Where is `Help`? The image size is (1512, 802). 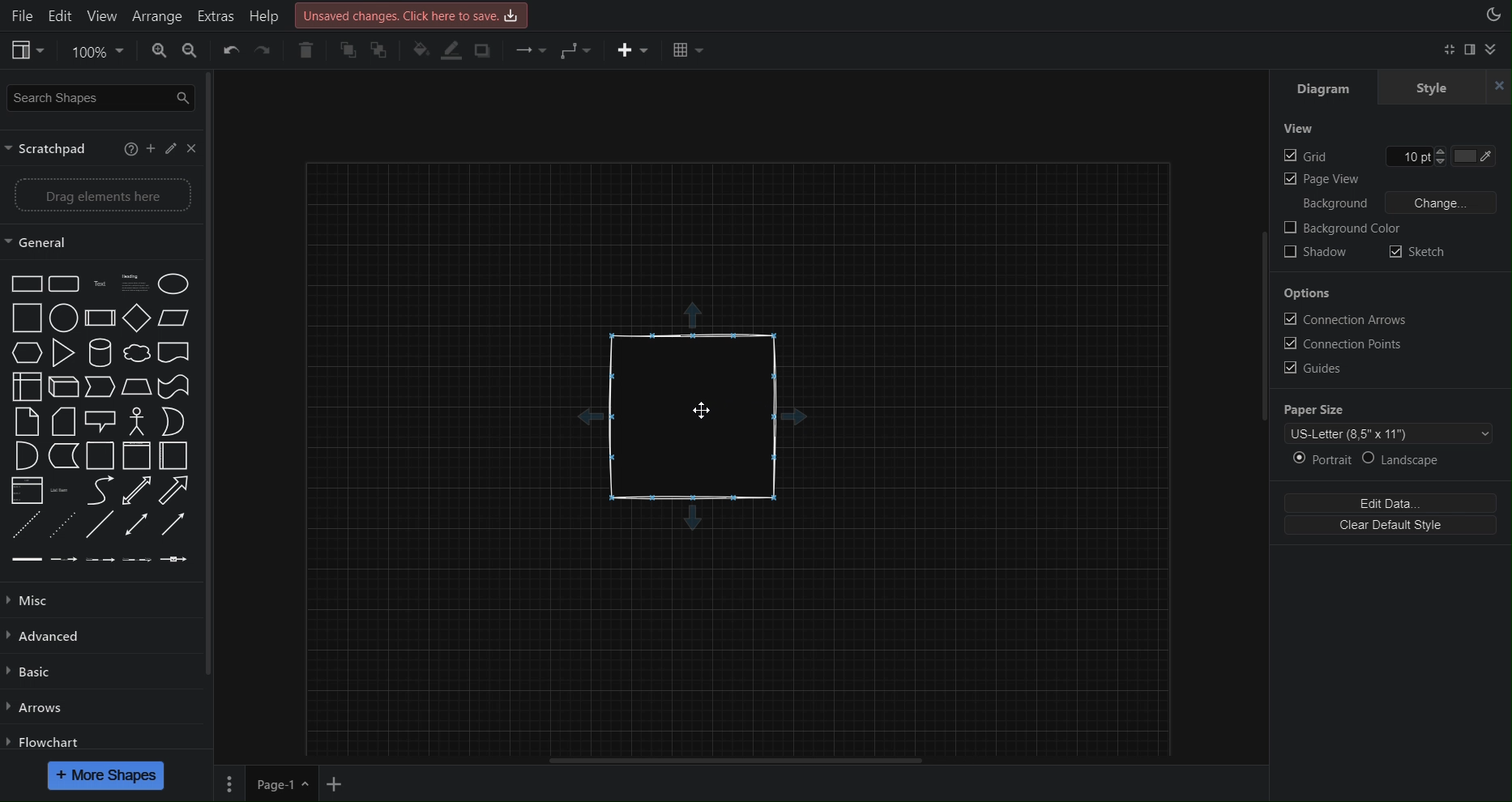 Help is located at coordinates (263, 13).